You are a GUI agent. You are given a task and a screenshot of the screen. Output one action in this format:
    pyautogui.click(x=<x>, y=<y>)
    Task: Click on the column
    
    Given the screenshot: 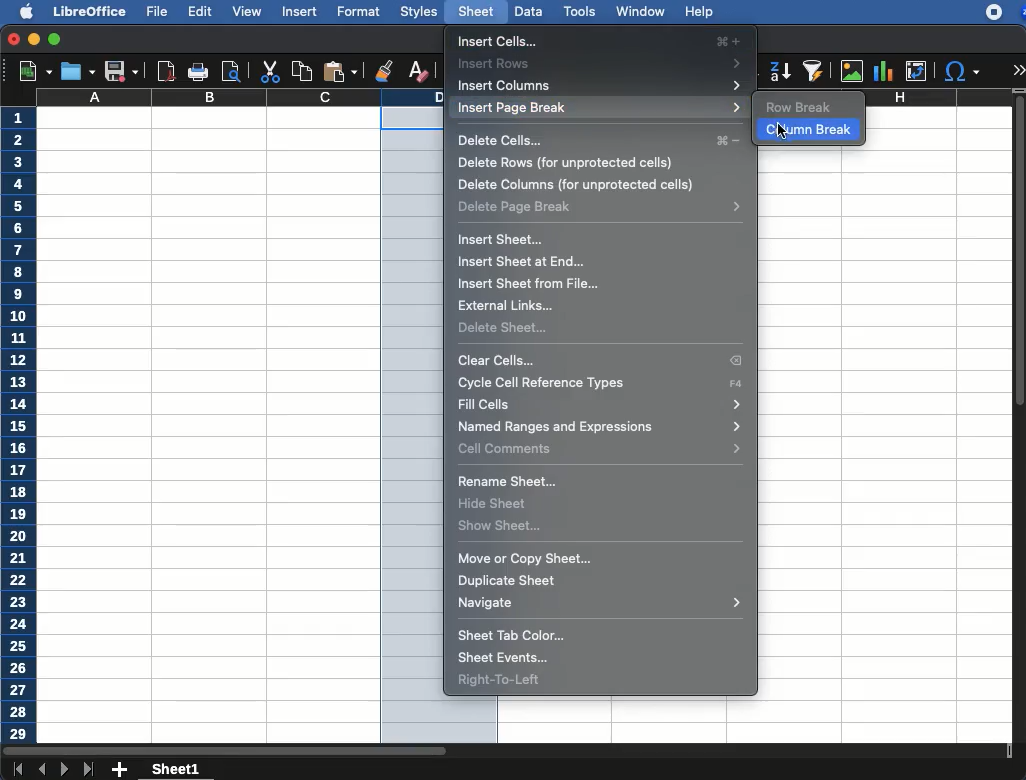 What is the action you would take?
    pyautogui.click(x=240, y=98)
    